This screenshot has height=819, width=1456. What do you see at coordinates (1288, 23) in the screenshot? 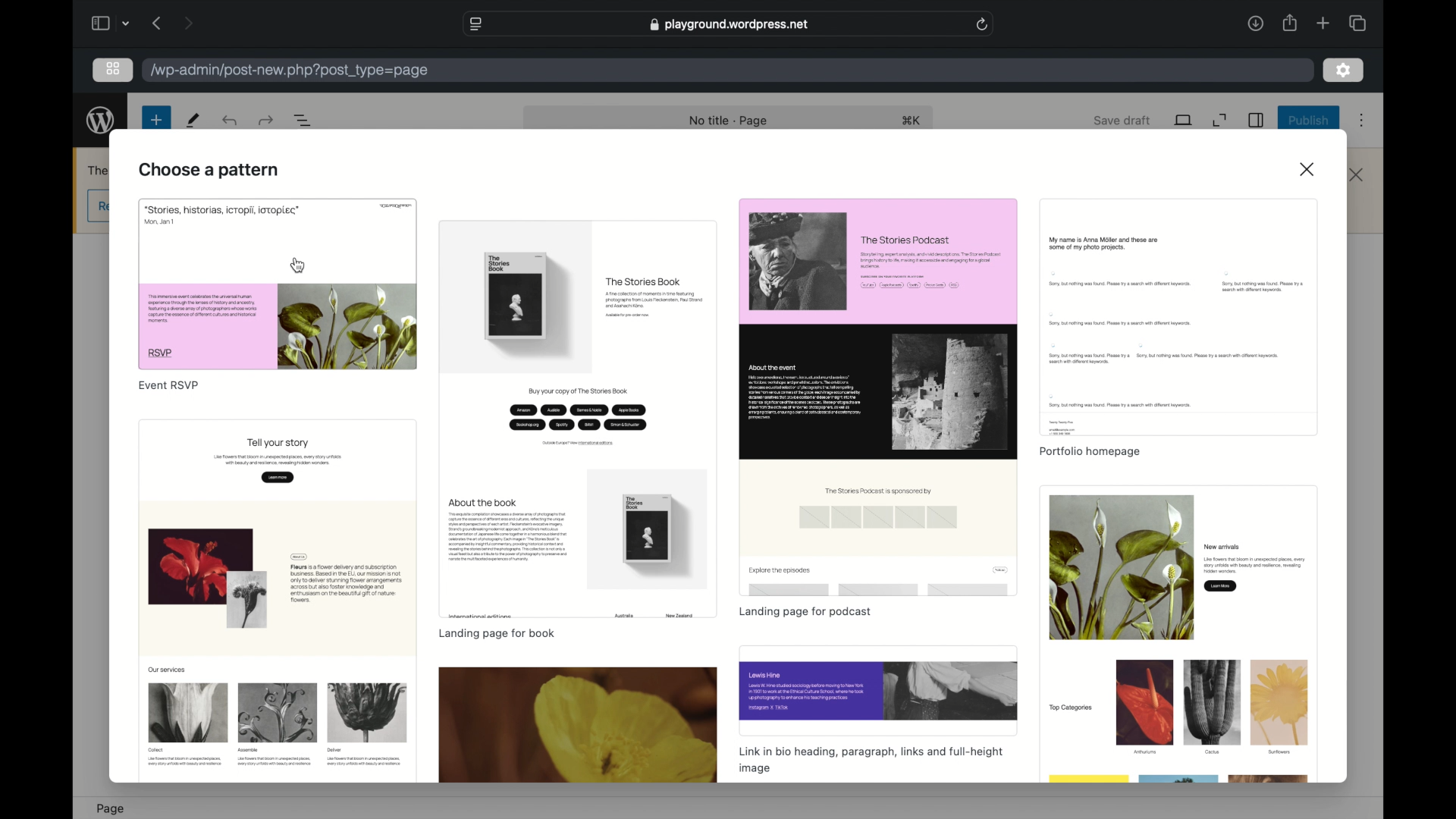
I see `share` at bounding box center [1288, 23].